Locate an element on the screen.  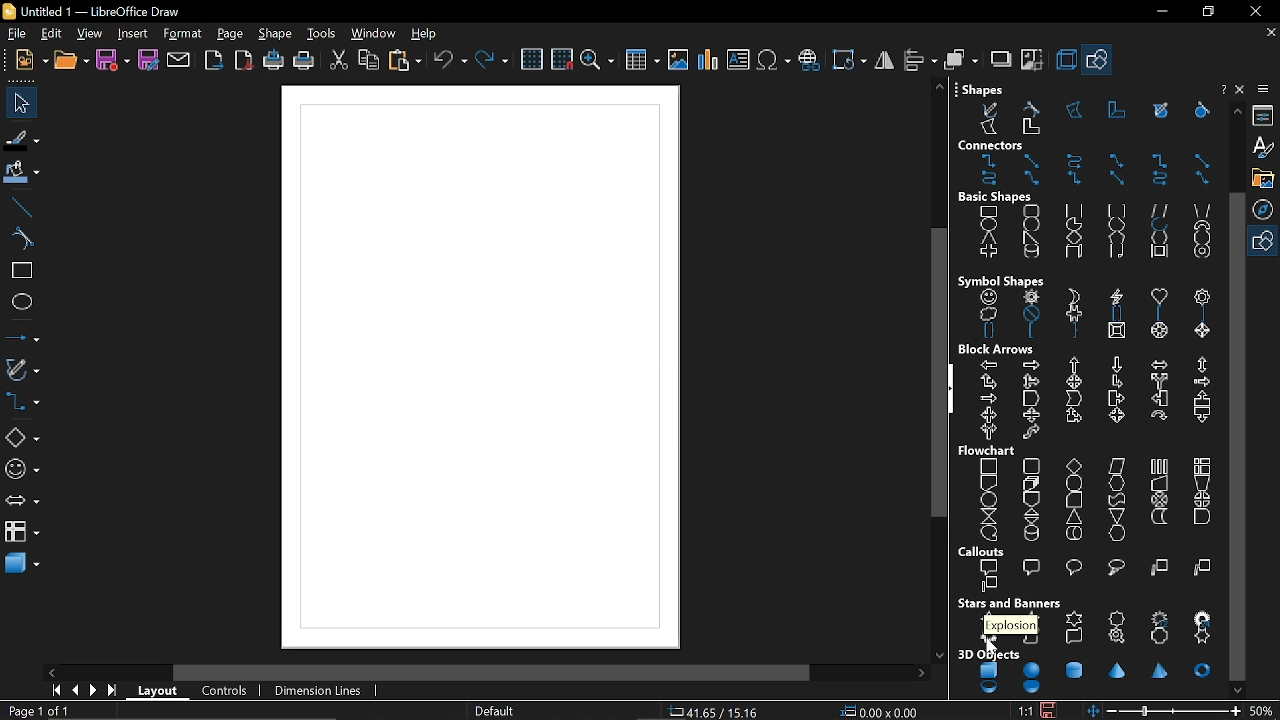
Vertical scrollbar for shapes is located at coordinates (1239, 436).